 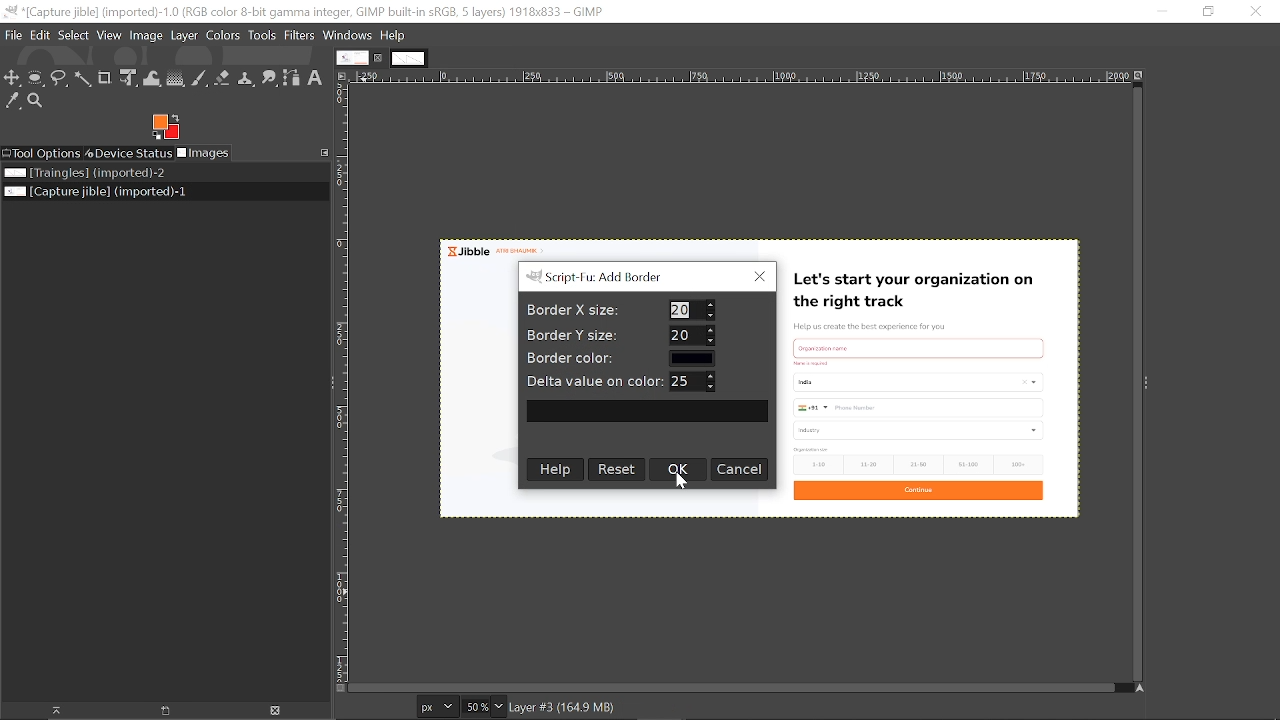 What do you see at coordinates (110, 36) in the screenshot?
I see `View` at bounding box center [110, 36].